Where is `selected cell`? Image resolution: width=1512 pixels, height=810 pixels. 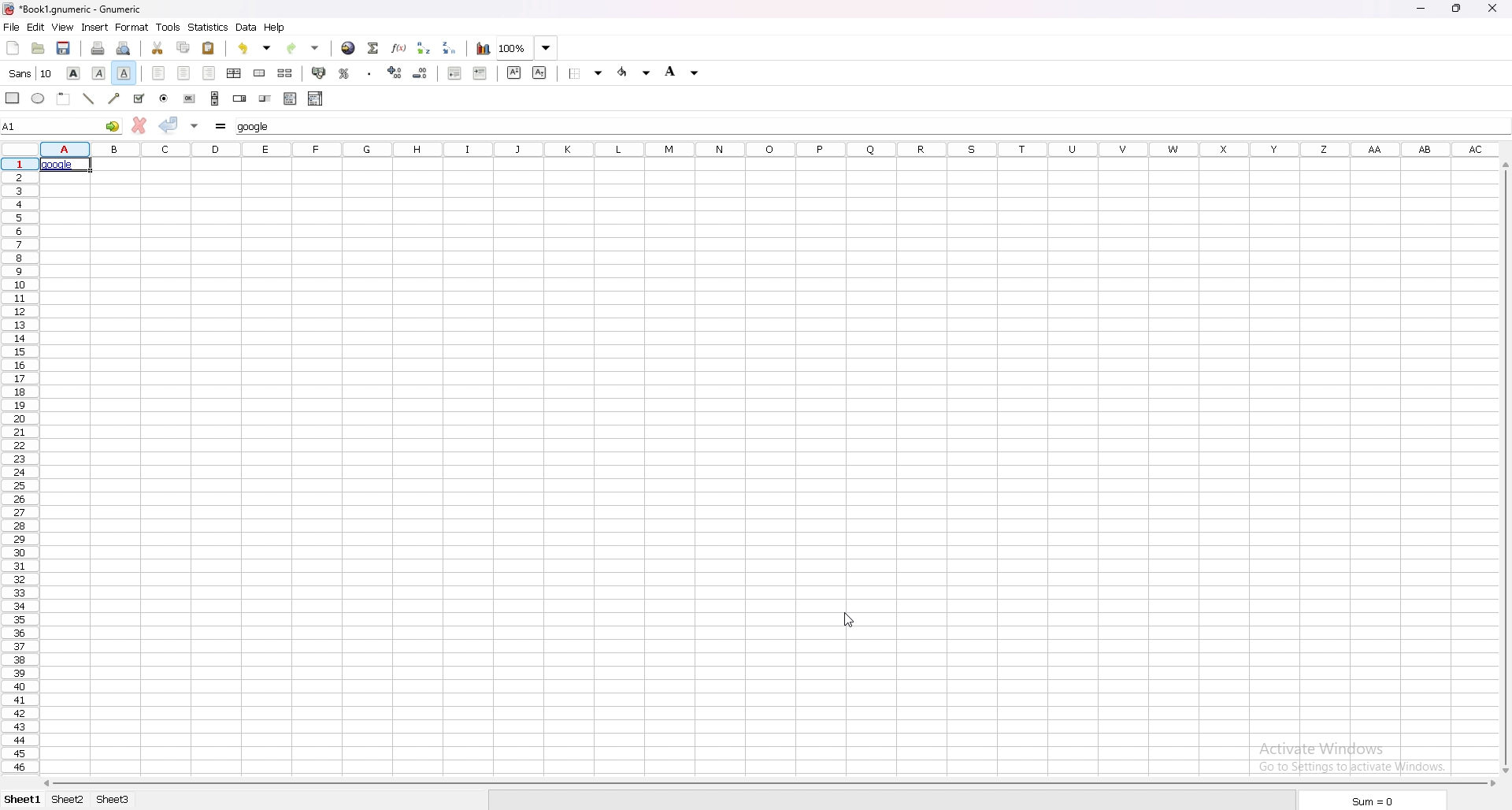
selected cell is located at coordinates (61, 124).